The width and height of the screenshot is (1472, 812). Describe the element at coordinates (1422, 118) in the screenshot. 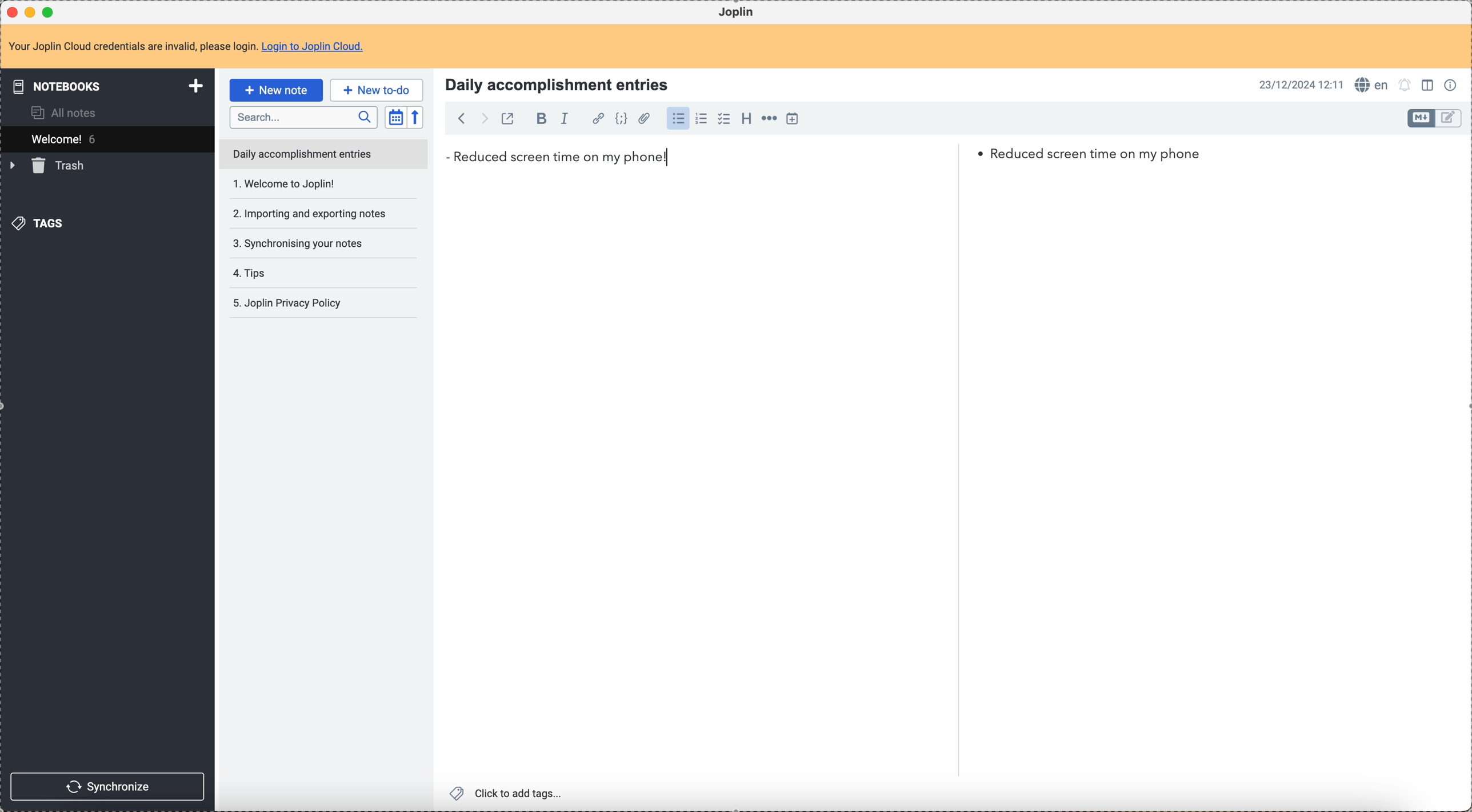

I see `toggle edit layout` at that location.